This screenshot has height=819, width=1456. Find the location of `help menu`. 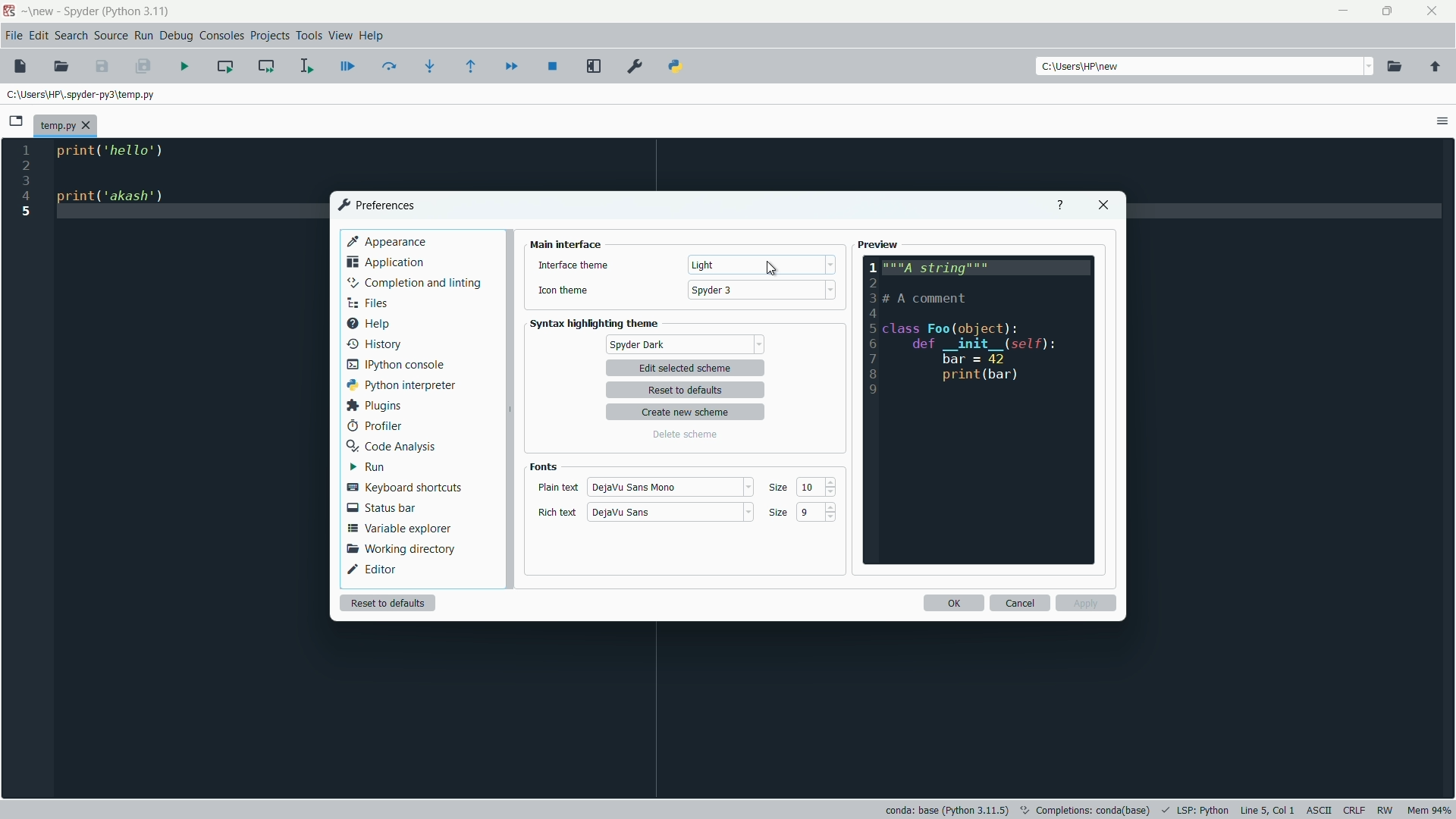

help menu is located at coordinates (372, 36).